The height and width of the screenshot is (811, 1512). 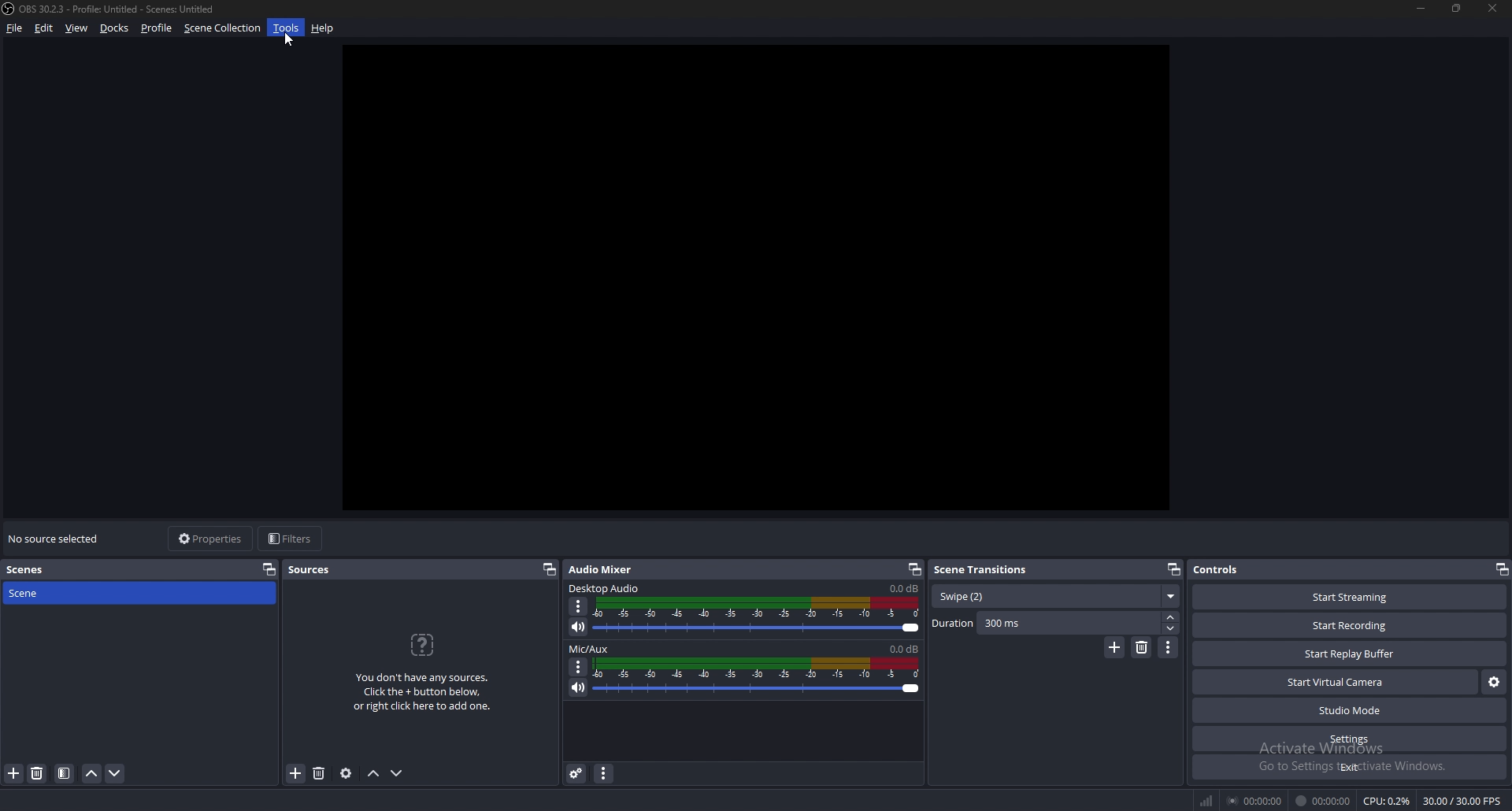 What do you see at coordinates (77, 28) in the screenshot?
I see `view` at bounding box center [77, 28].